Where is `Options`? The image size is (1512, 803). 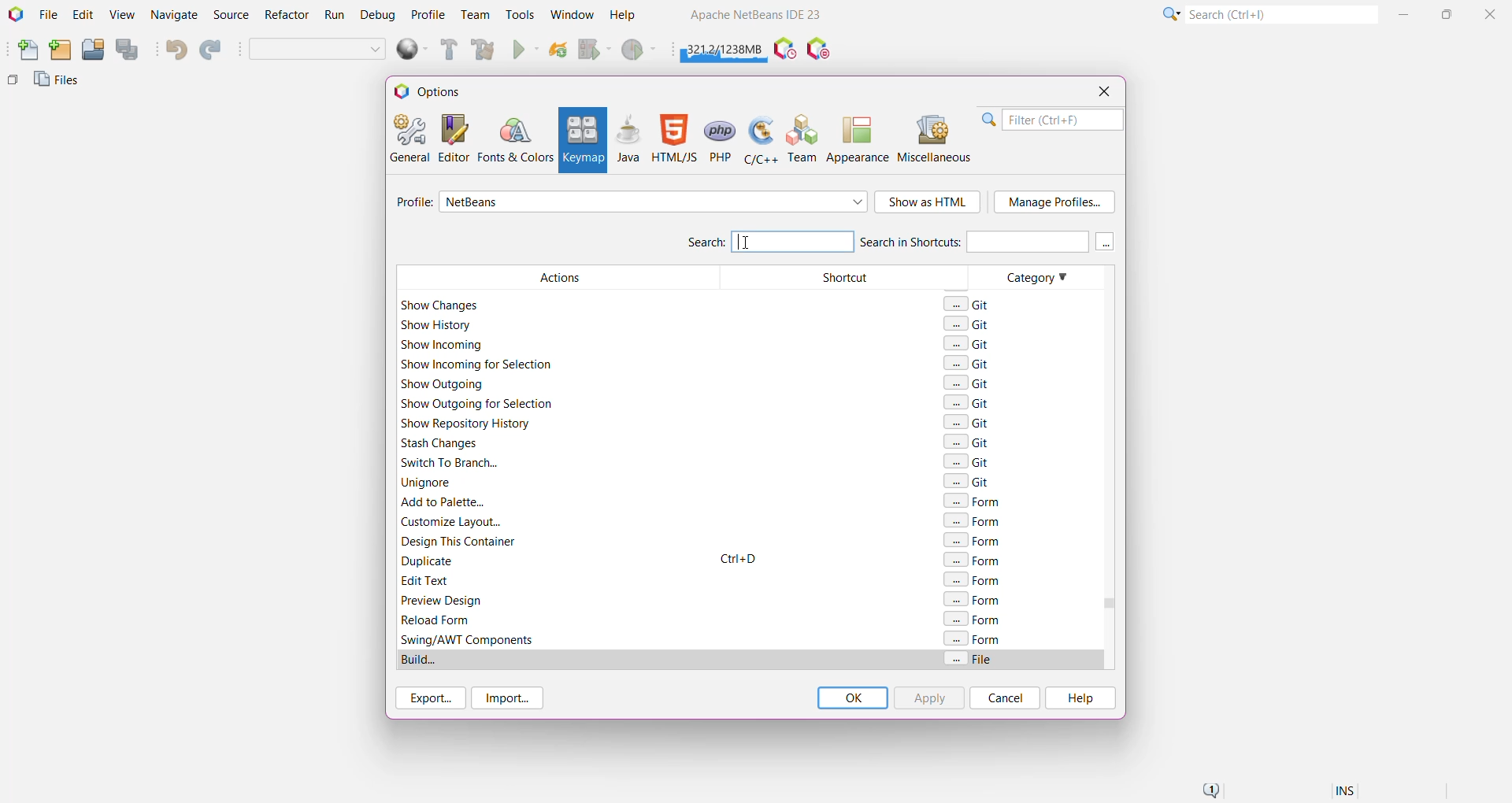 Options is located at coordinates (435, 91).